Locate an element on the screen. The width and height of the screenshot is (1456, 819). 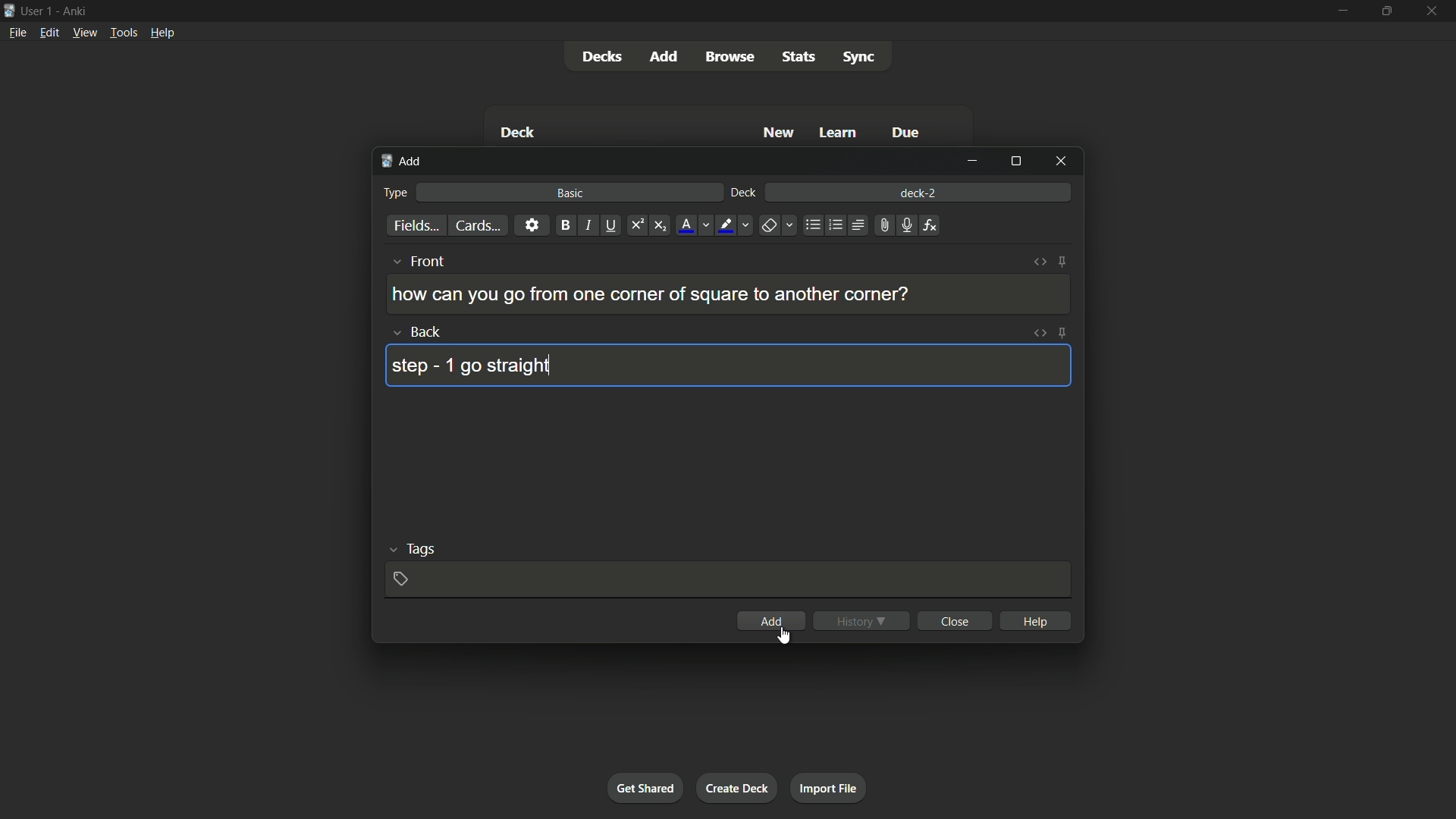
close app is located at coordinates (1432, 11).